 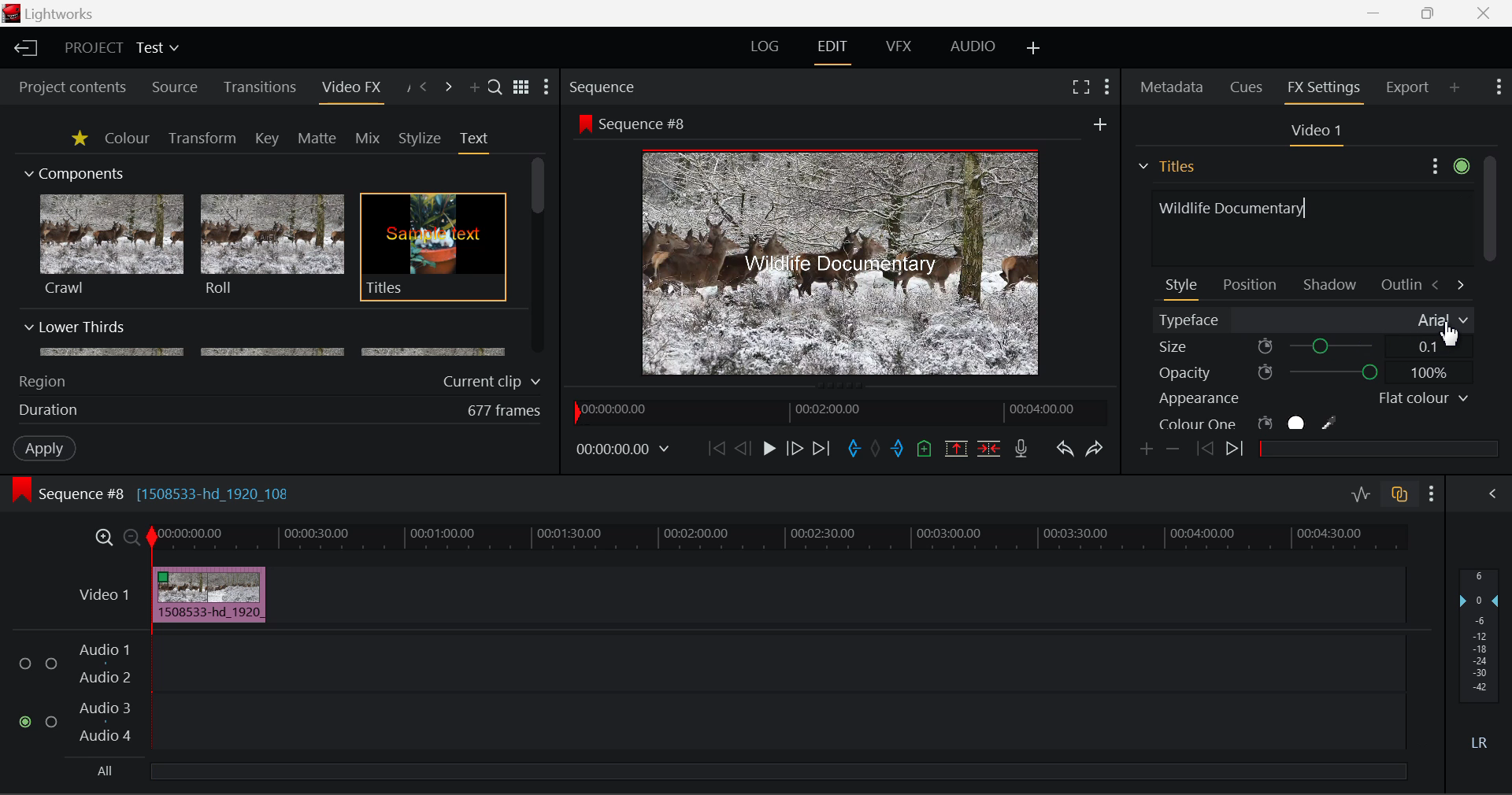 What do you see at coordinates (205, 595) in the screenshot?
I see `Clip Inserted` at bounding box center [205, 595].